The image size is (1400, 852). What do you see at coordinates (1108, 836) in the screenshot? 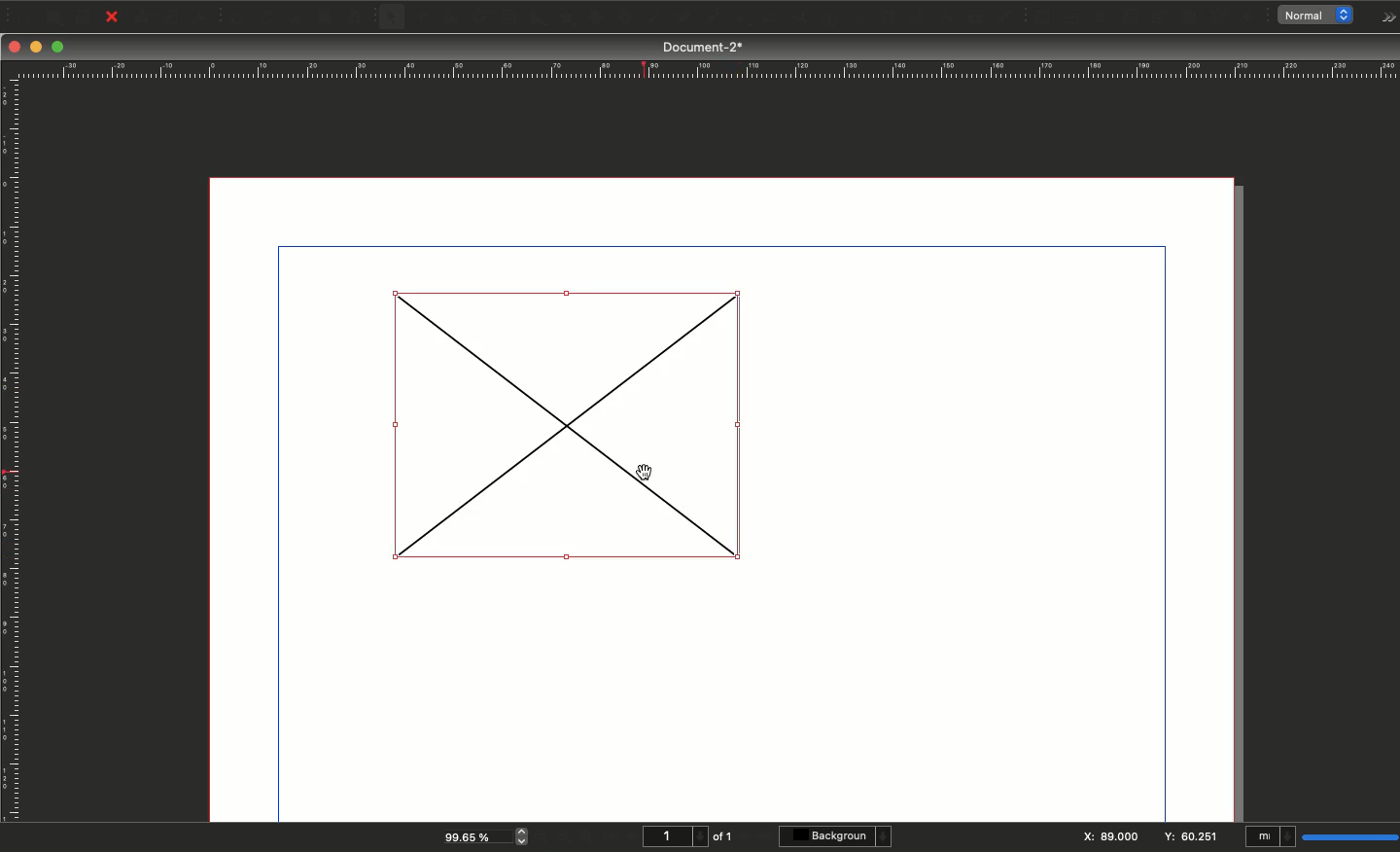
I see `X: 89.000` at bounding box center [1108, 836].